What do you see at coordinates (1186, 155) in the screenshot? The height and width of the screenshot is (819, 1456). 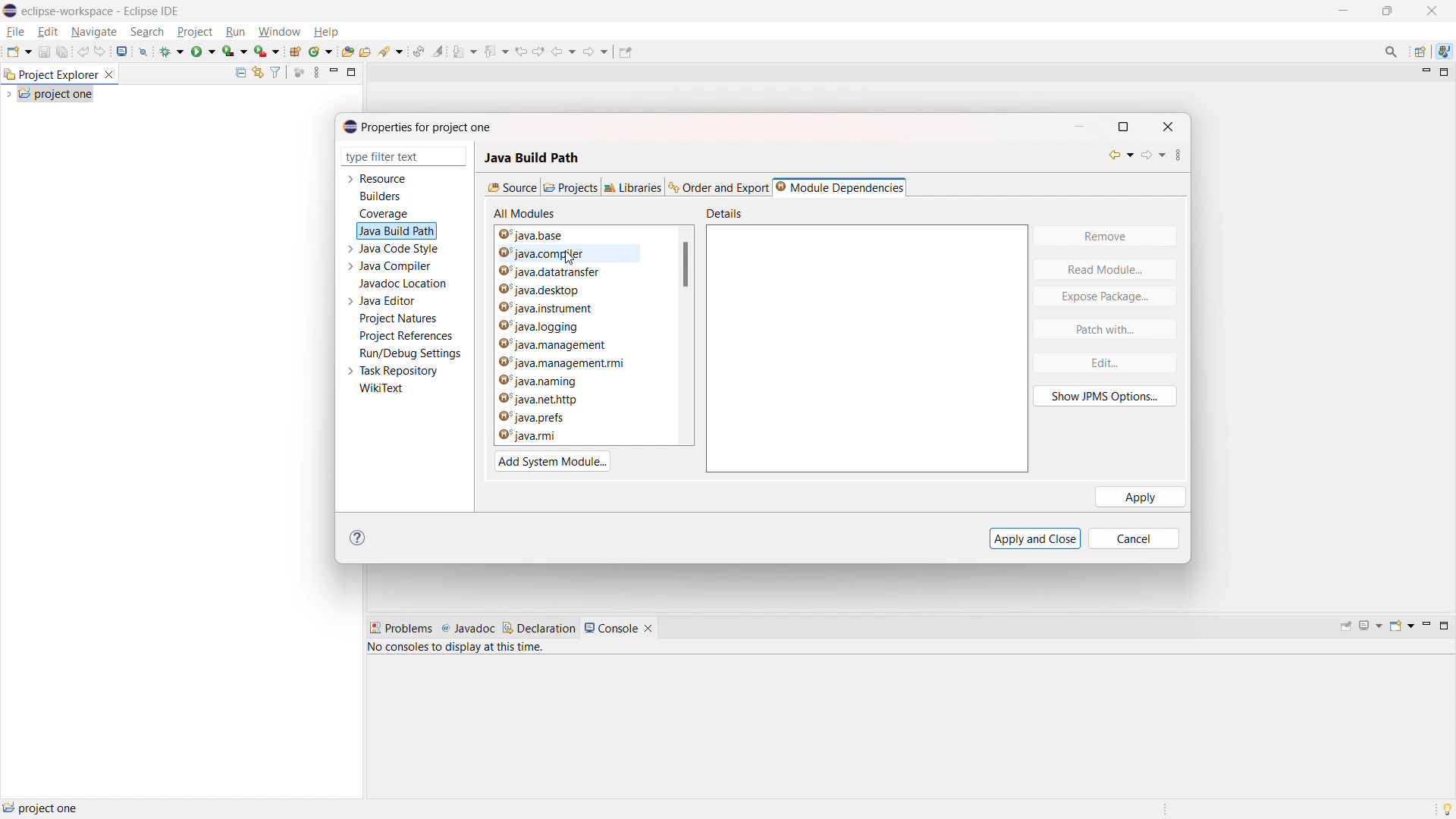 I see `view menu` at bounding box center [1186, 155].